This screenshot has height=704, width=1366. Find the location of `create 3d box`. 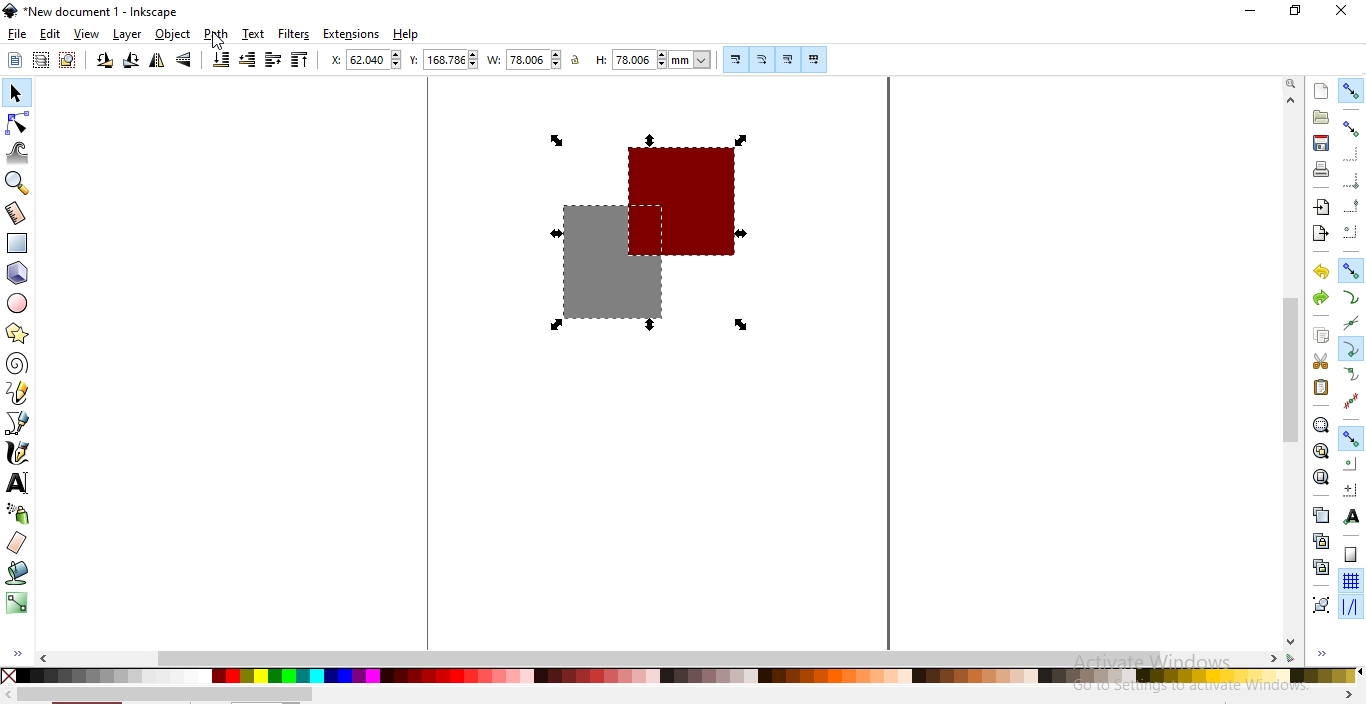

create 3d box is located at coordinates (20, 273).